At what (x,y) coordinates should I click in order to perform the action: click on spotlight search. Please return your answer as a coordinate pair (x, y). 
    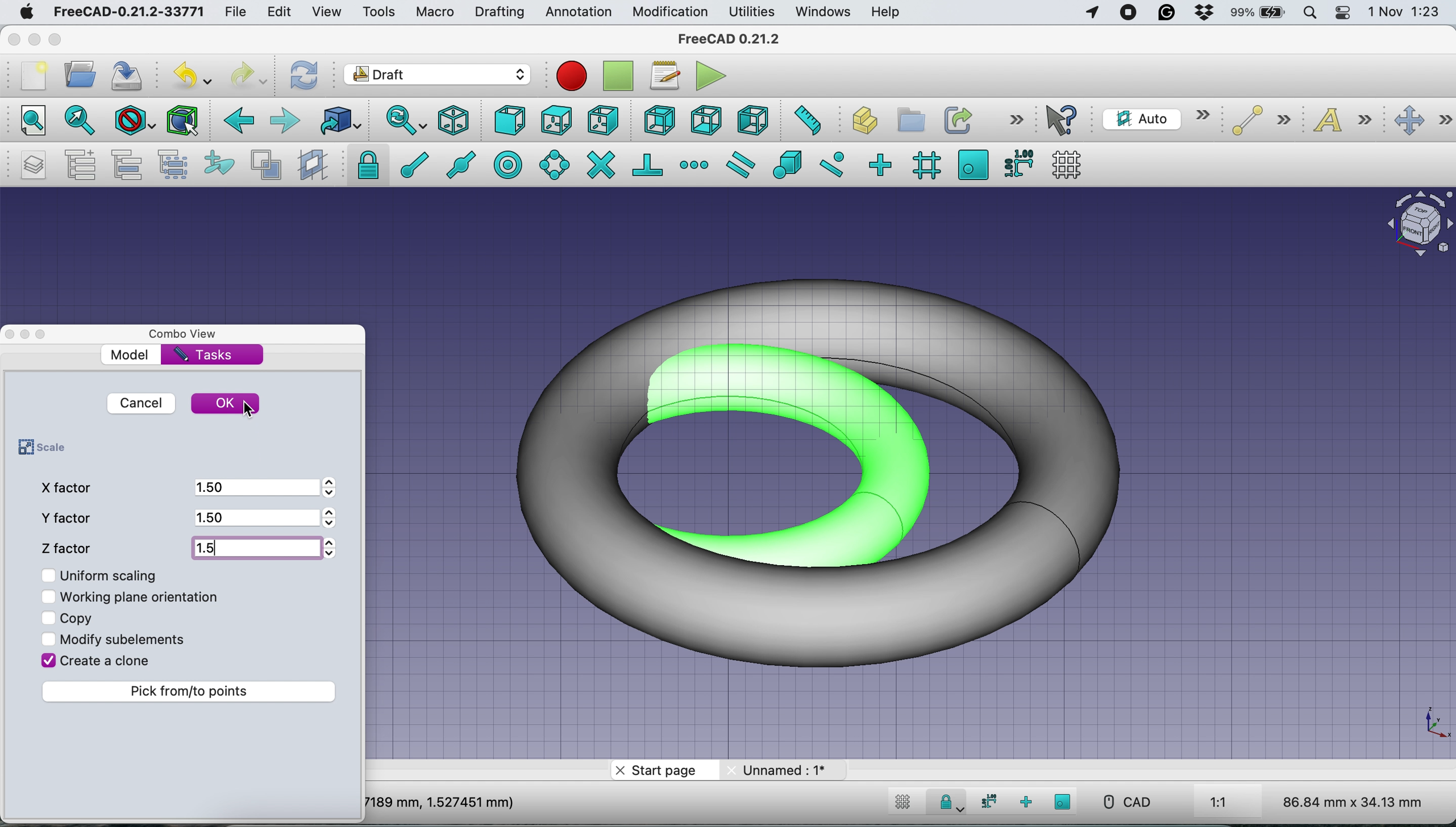
    Looking at the image, I should click on (1312, 11).